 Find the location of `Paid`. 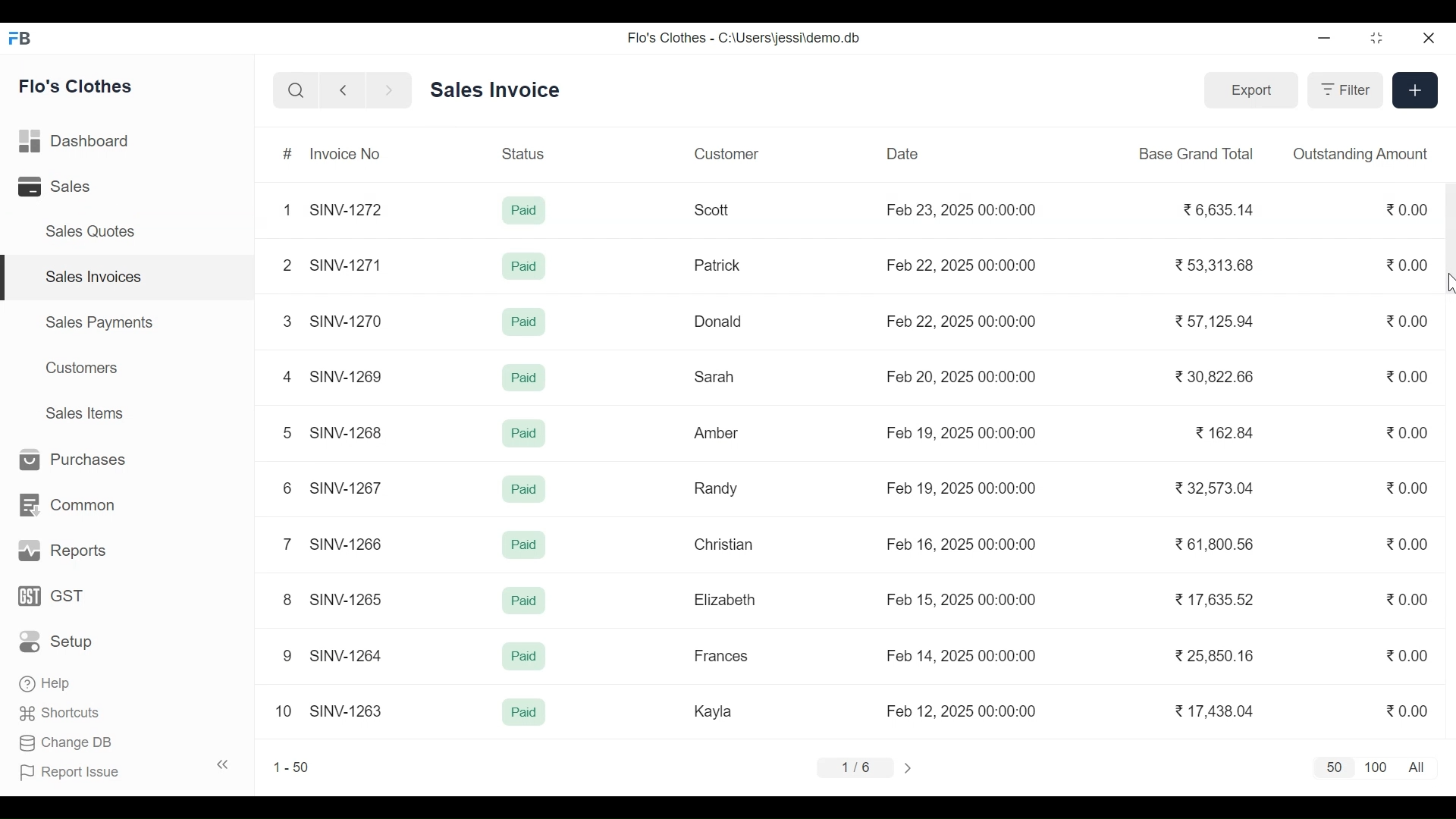

Paid is located at coordinates (524, 544).